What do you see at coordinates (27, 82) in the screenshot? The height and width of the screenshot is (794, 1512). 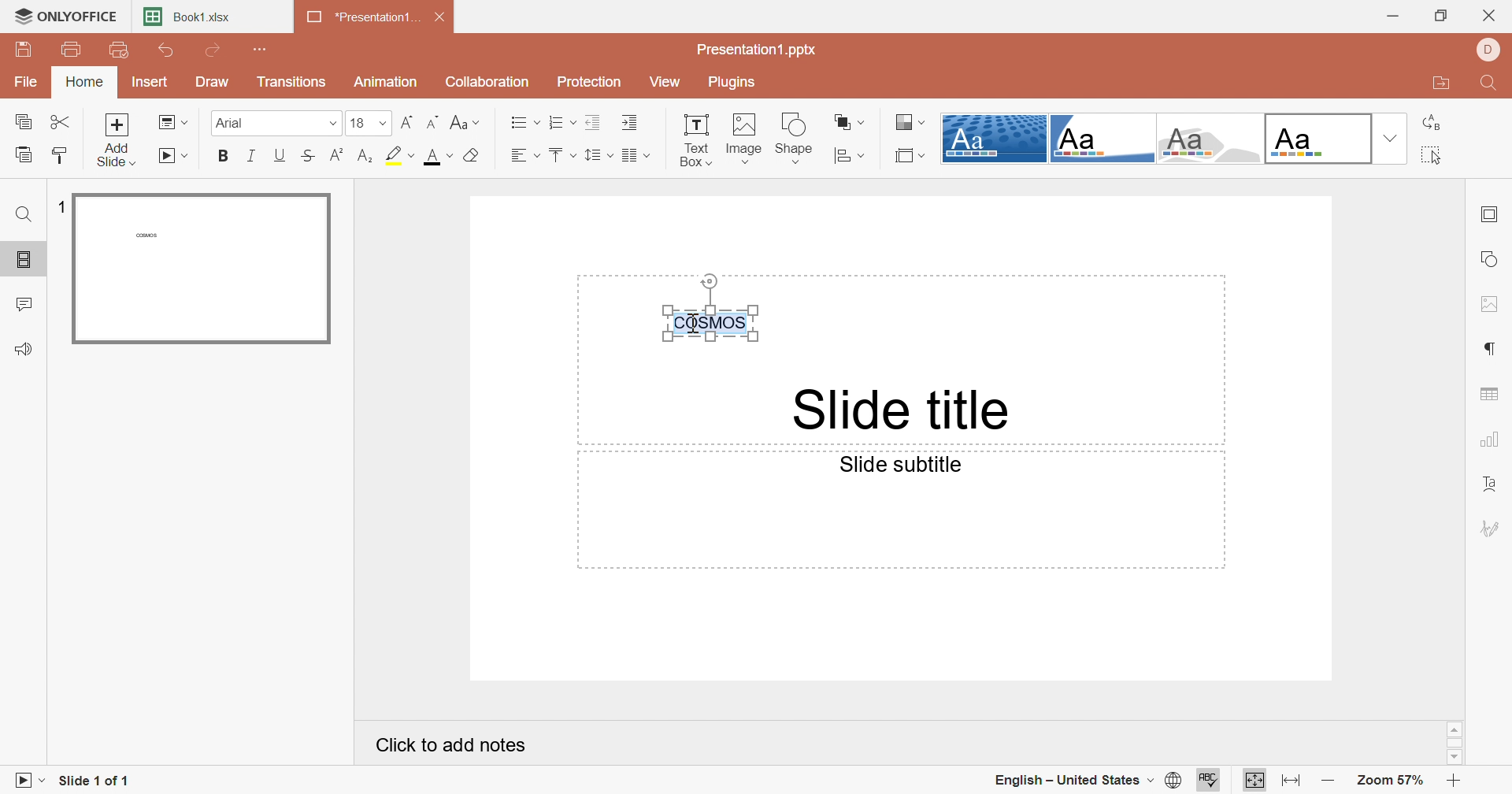 I see `File` at bounding box center [27, 82].